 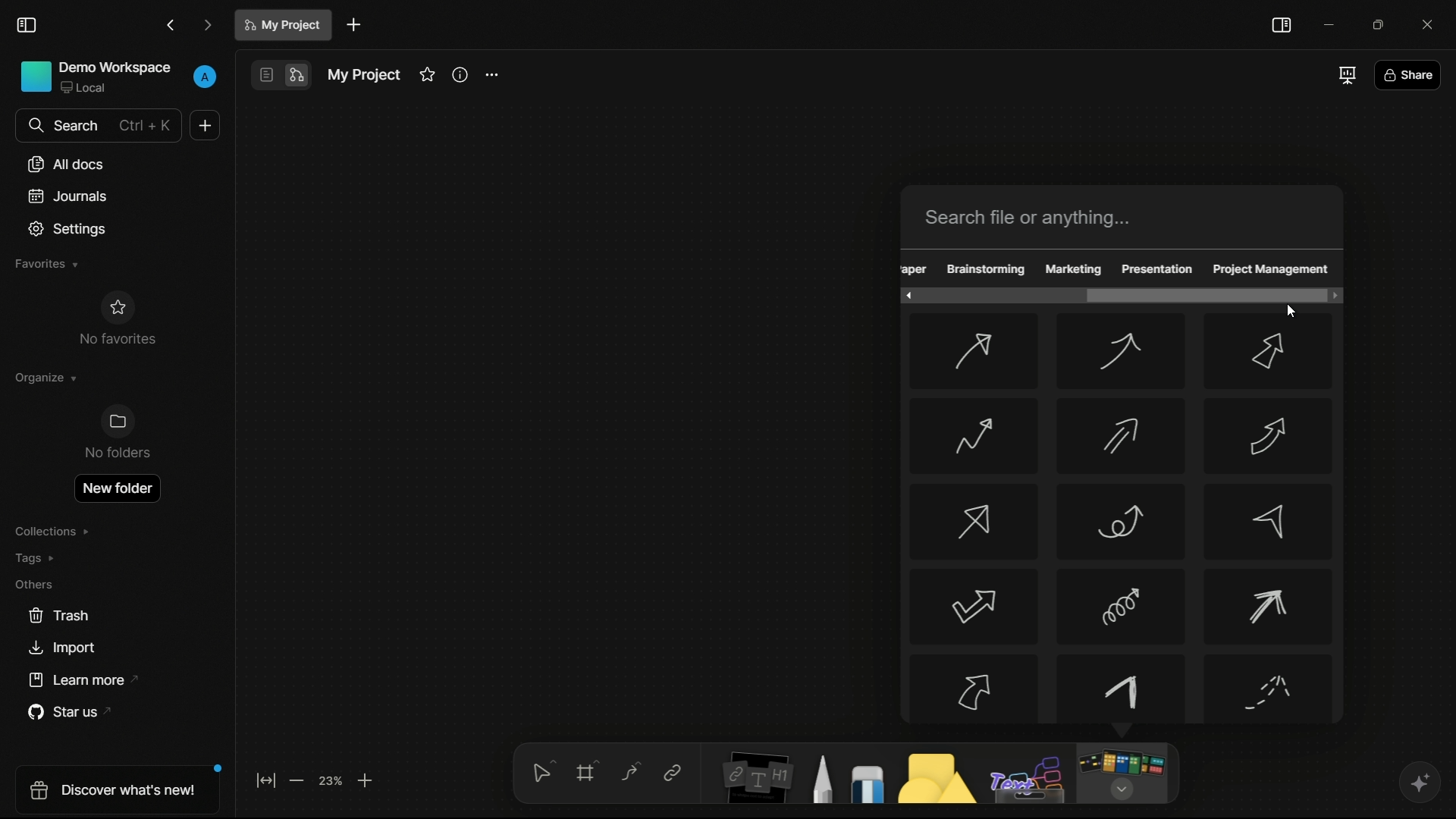 I want to click on back, so click(x=171, y=26).